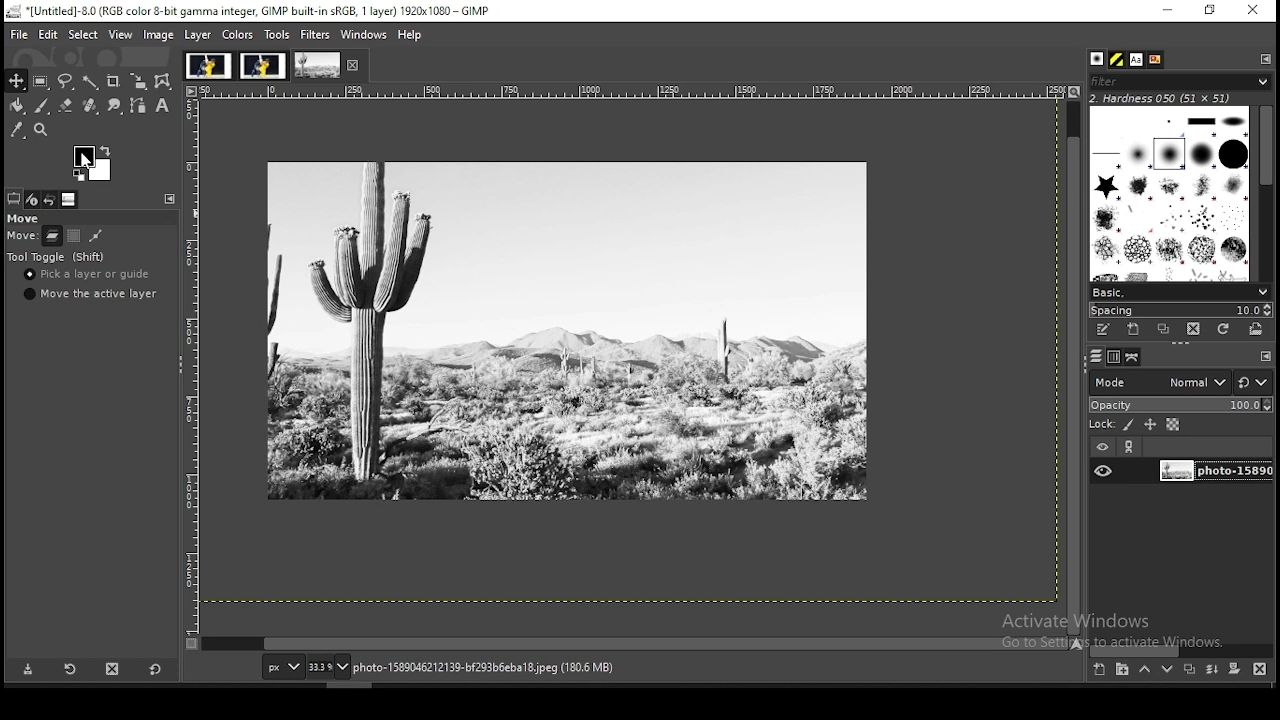  What do you see at coordinates (1181, 650) in the screenshot?
I see `scroll bar` at bounding box center [1181, 650].